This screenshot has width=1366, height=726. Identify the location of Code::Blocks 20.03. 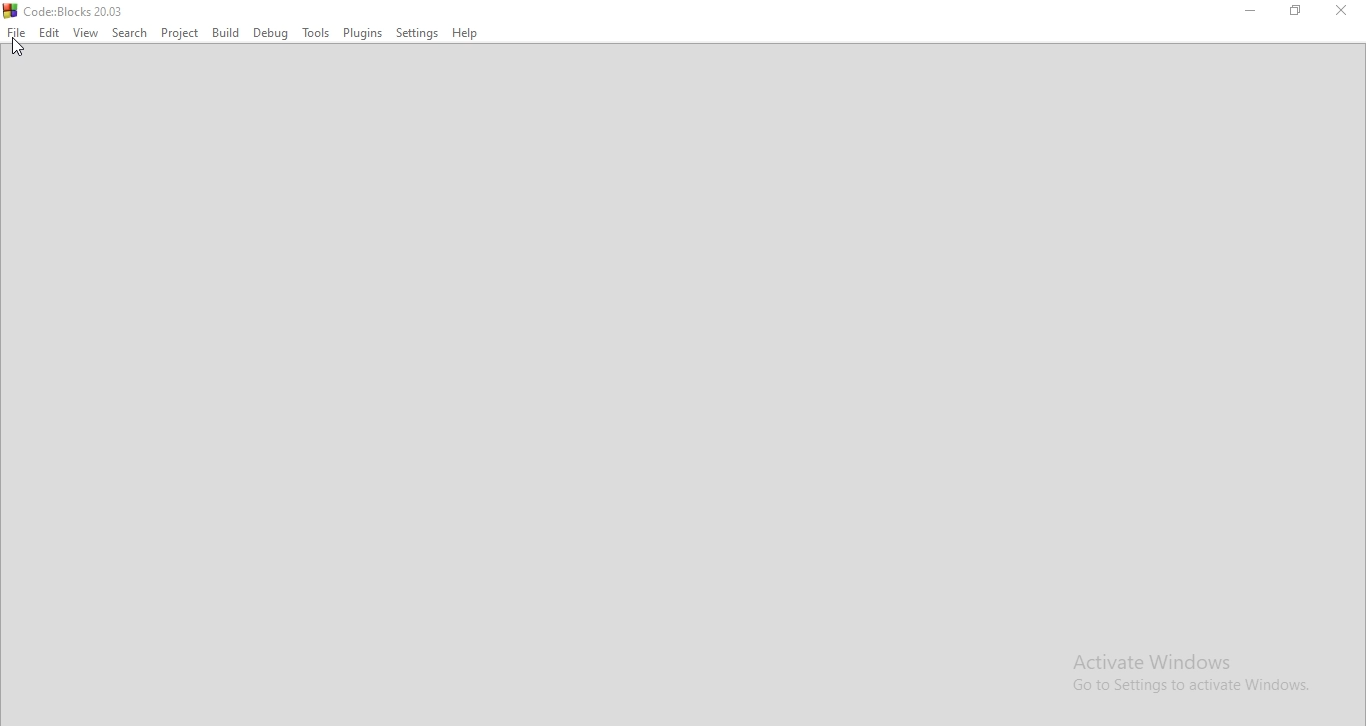
(67, 8).